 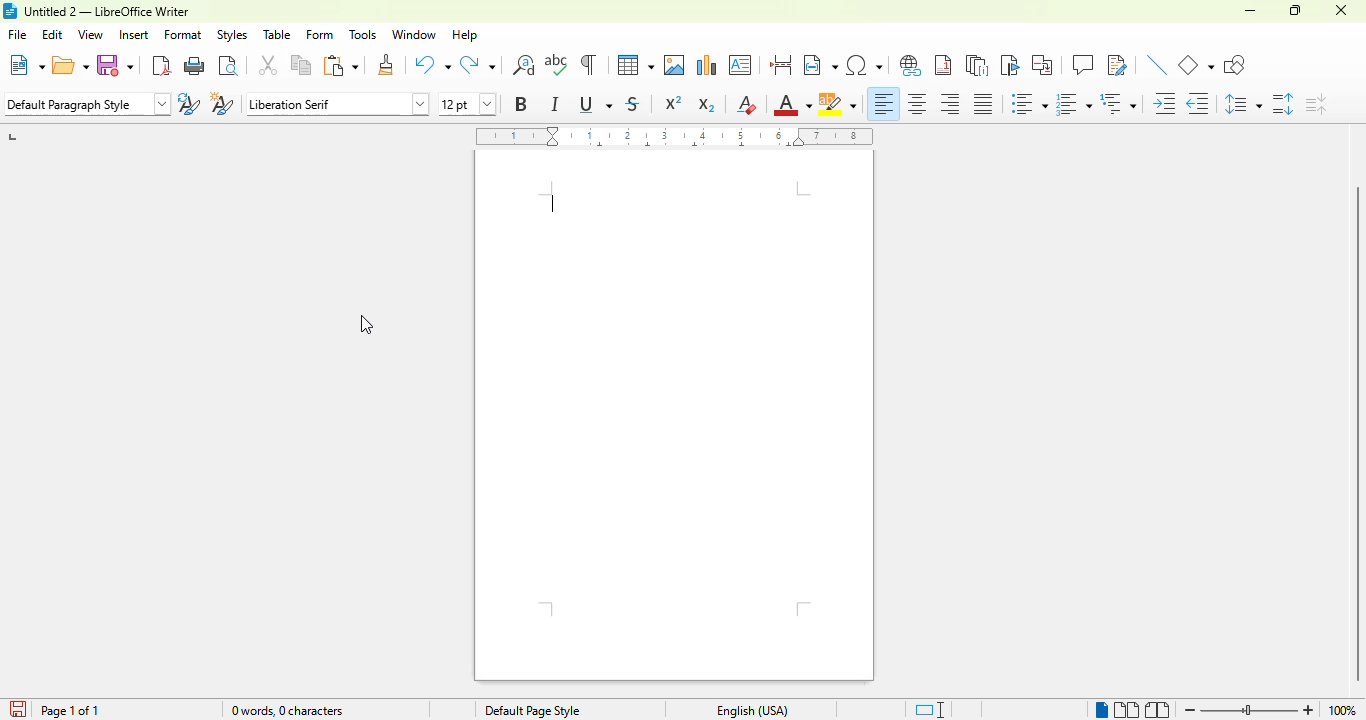 I want to click on toggle formatting marks, so click(x=588, y=66).